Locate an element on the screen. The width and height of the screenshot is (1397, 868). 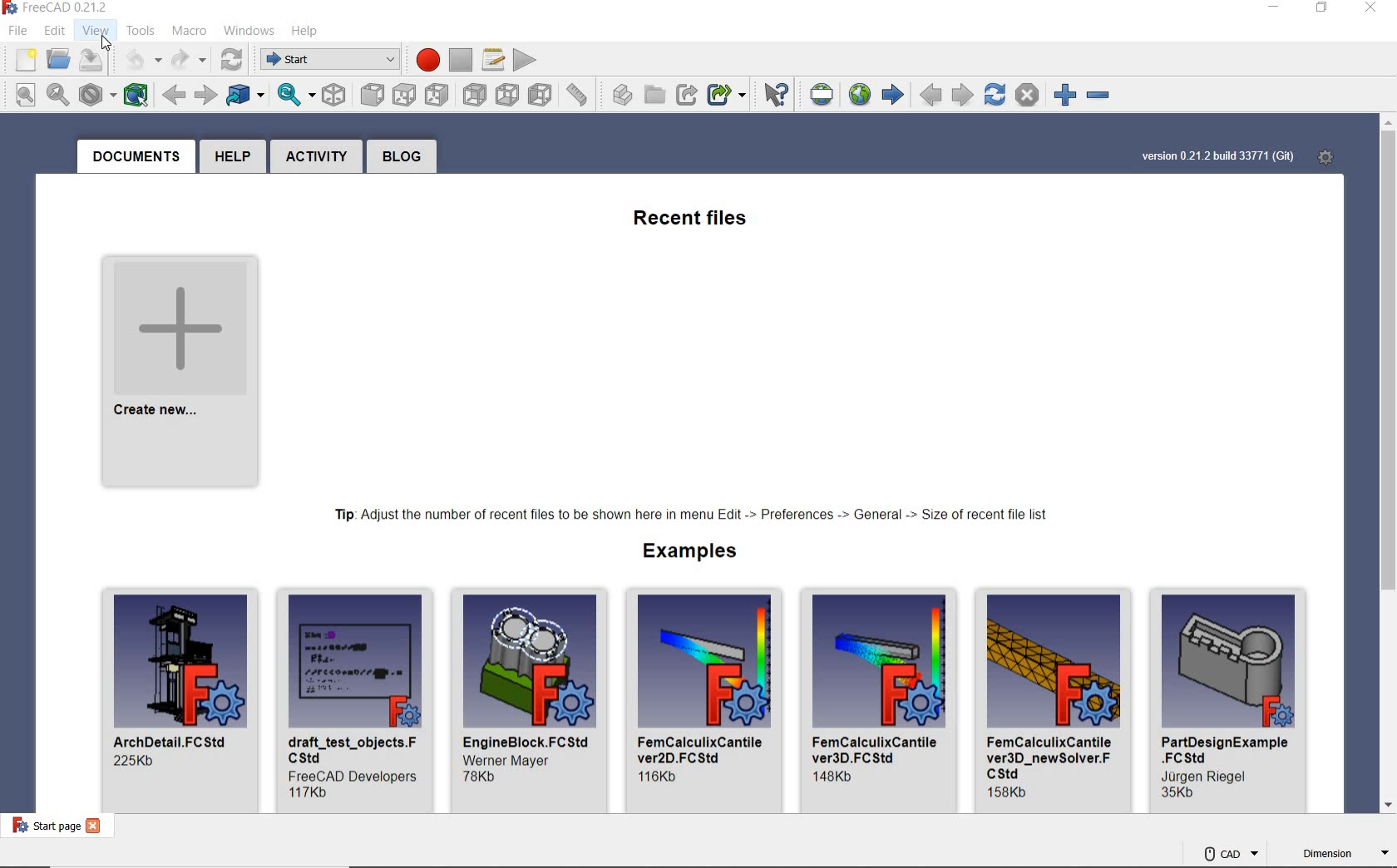
EngineBlock is located at coordinates (529, 701).